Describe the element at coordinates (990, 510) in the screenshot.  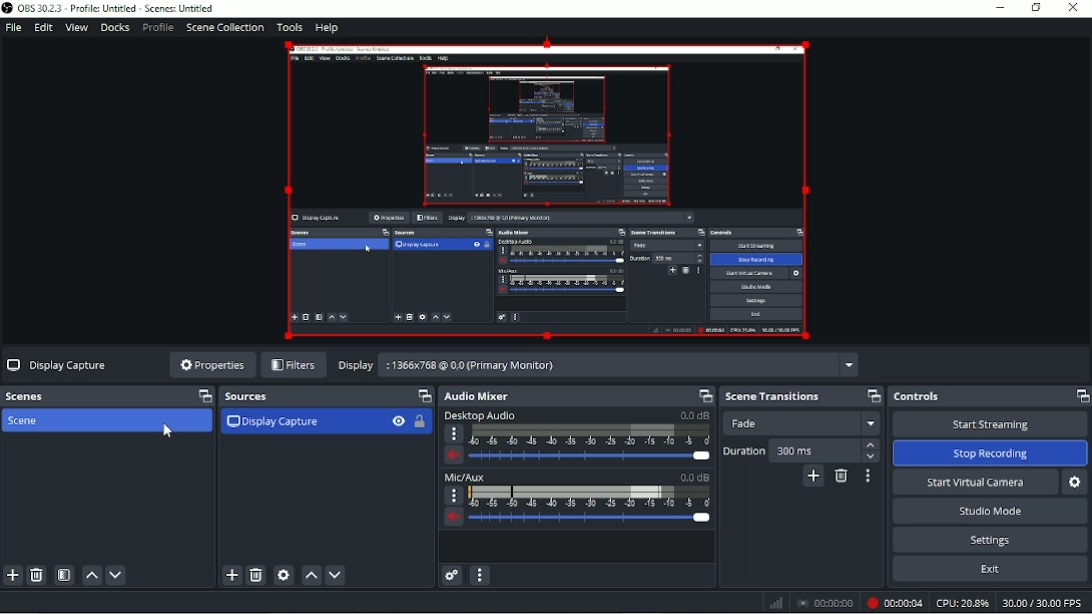
I see `Studio mode` at that location.